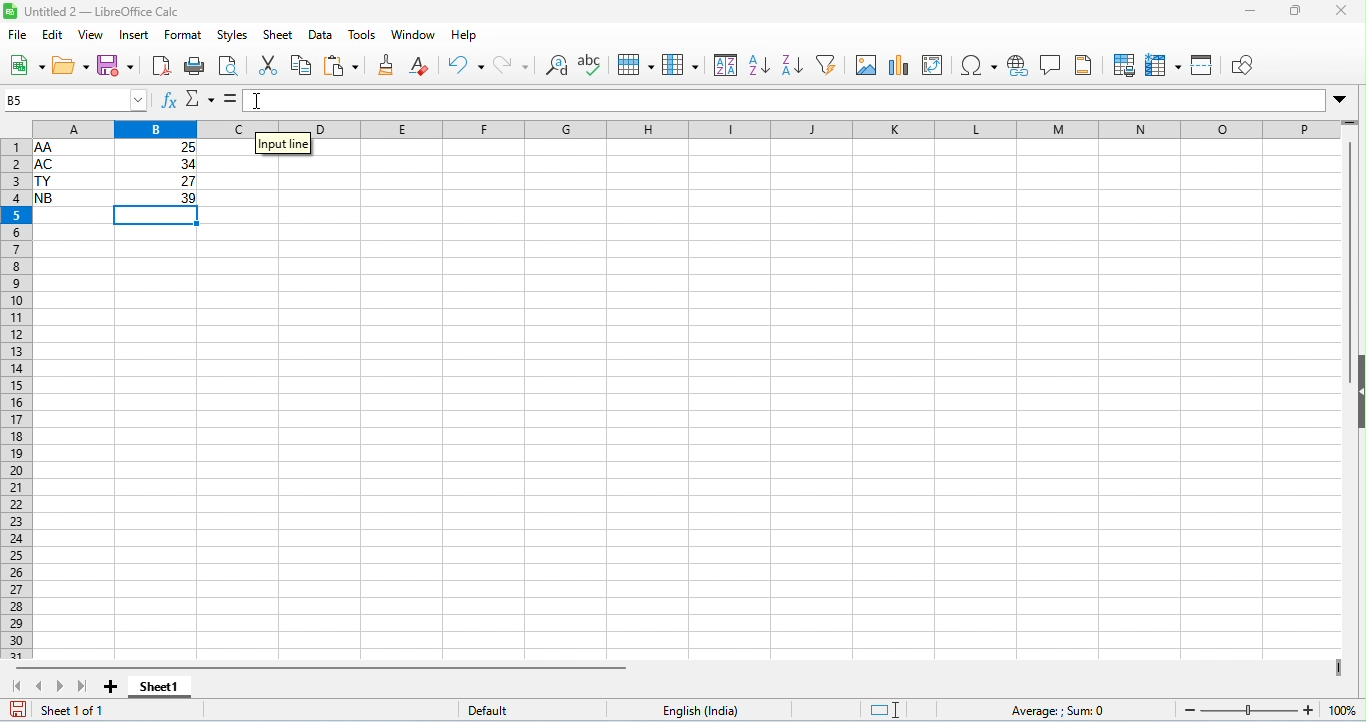 Image resolution: width=1366 pixels, height=722 pixels. What do you see at coordinates (978, 66) in the screenshot?
I see `insert special characters` at bounding box center [978, 66].